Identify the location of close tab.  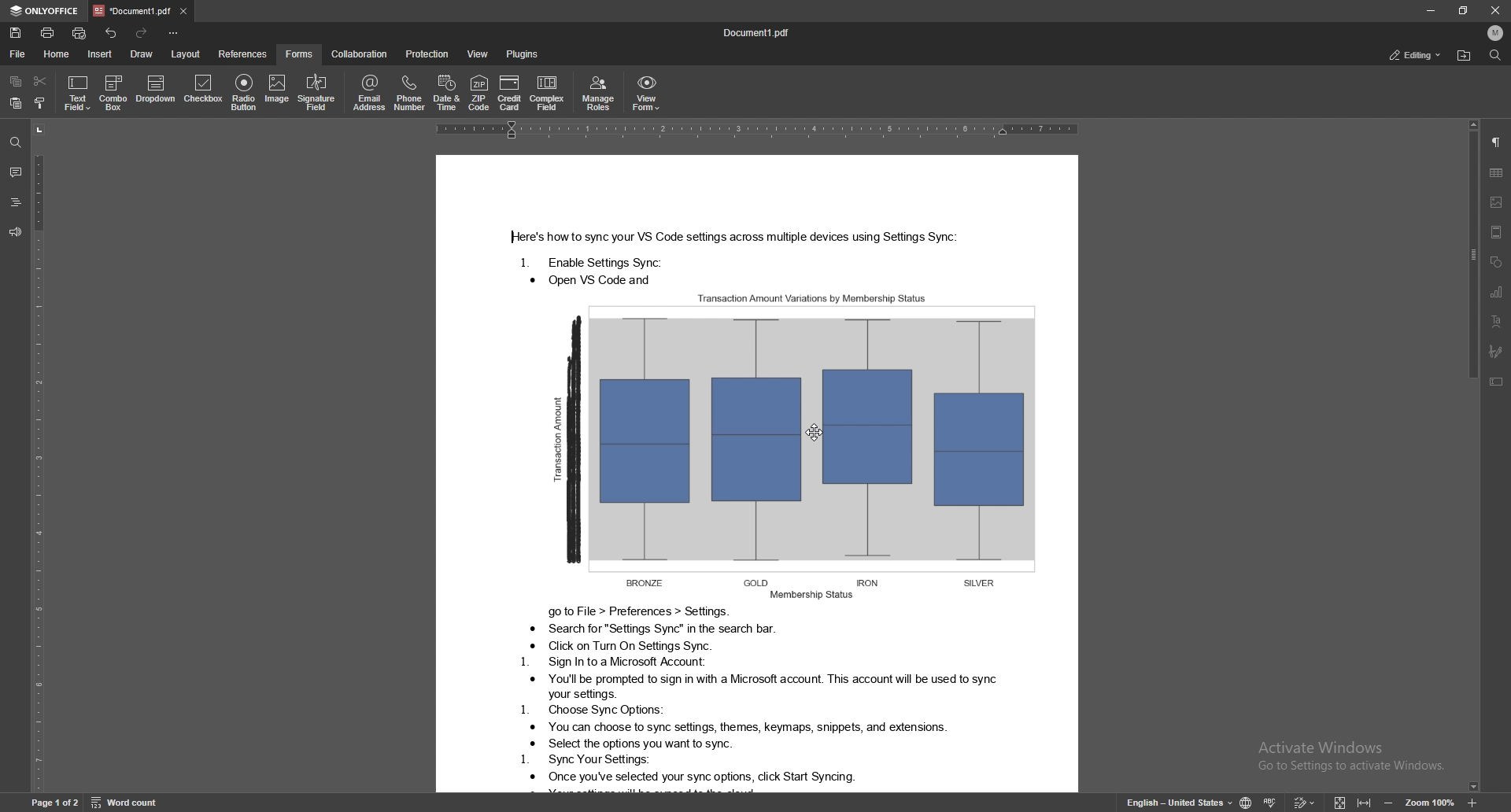
(184, 10).